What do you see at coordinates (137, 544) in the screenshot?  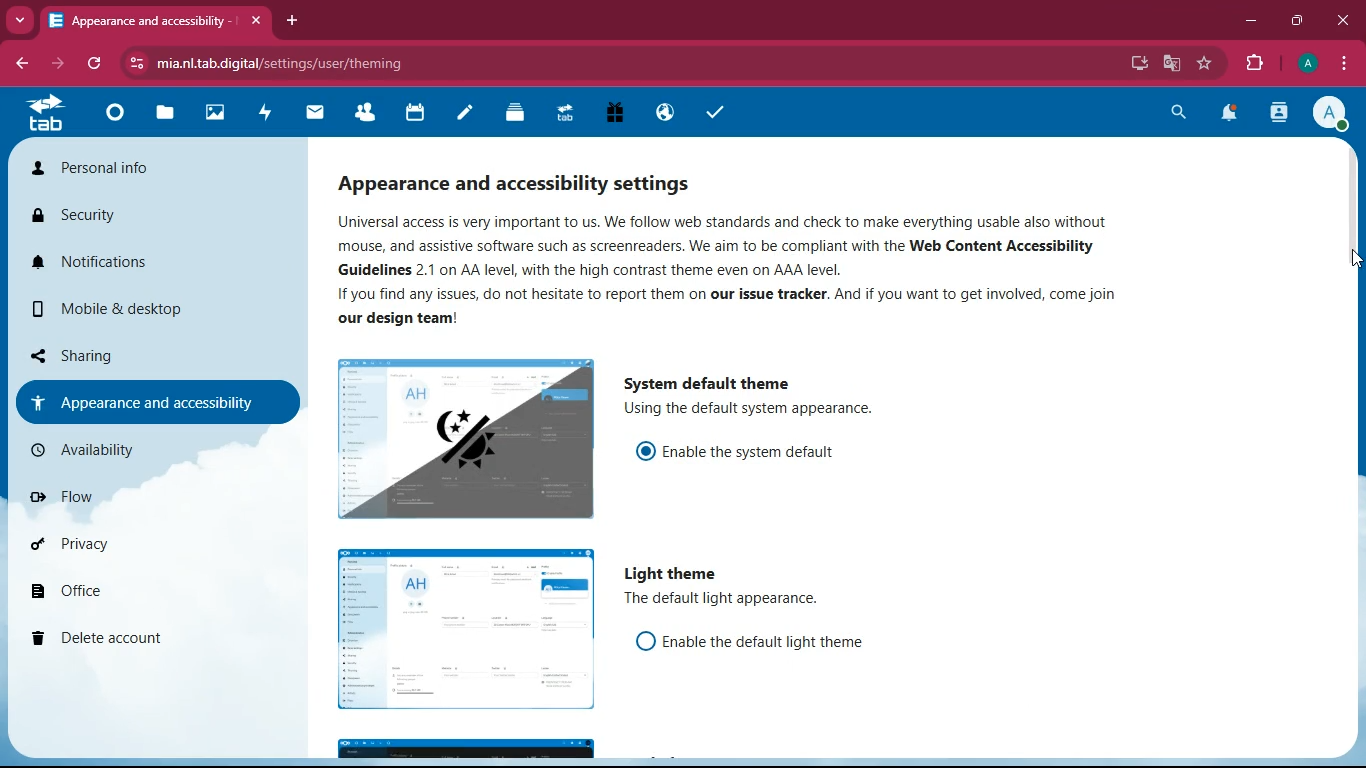 I see `privacy` at bounding box center [137, 544].